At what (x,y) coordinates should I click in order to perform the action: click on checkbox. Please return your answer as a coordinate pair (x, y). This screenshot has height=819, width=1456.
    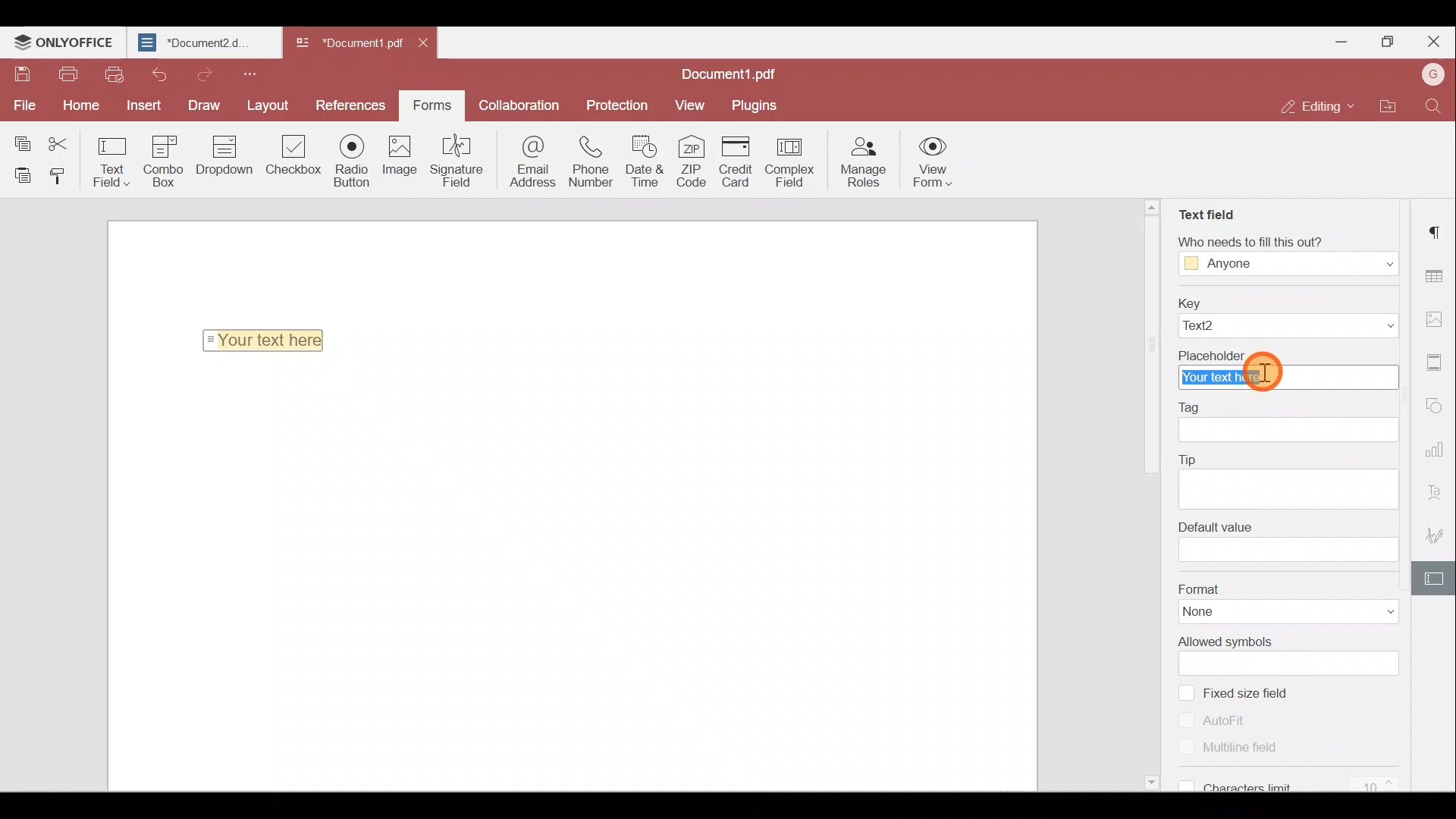
    Looking at the image, I should click on (1188, 748).